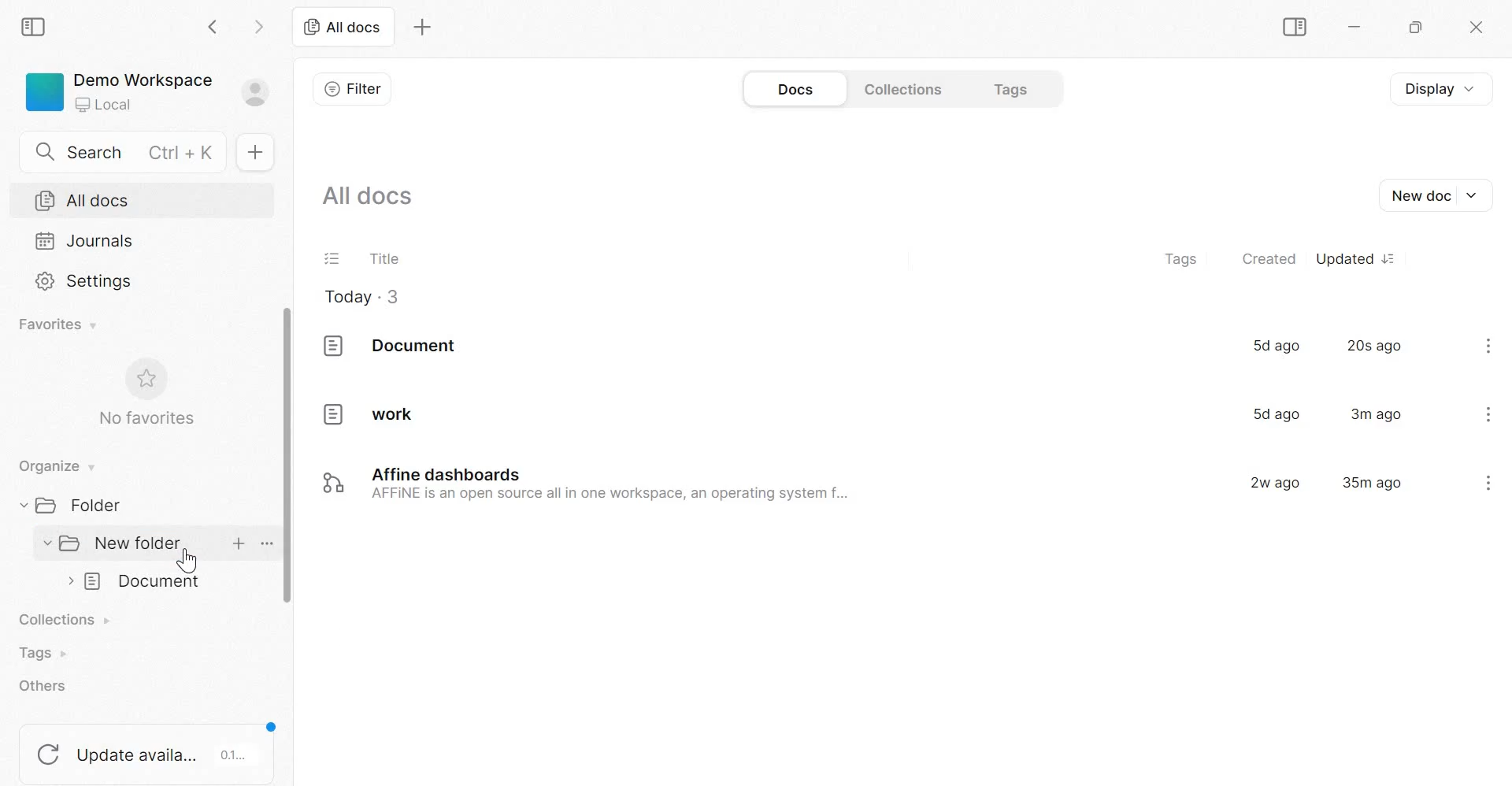 The image size is (1512, 786). What do you see at coordinates (1490, 413) in the screenshot?
I see `kebab menu` at bounding box center [1490, 413].